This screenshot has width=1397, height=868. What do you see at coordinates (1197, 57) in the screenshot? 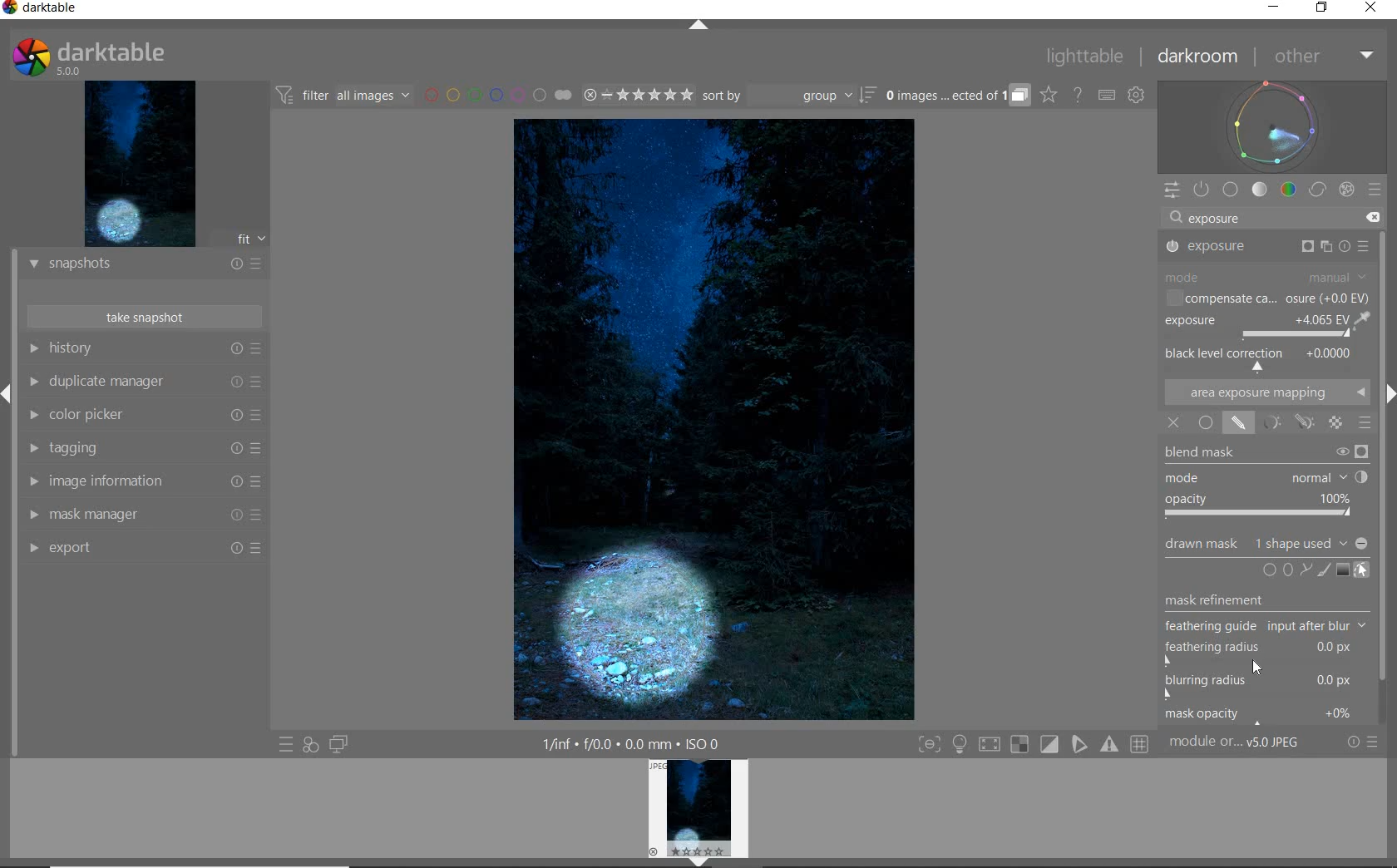
I see `DARKROOM` at bounding box center [1197, 57].